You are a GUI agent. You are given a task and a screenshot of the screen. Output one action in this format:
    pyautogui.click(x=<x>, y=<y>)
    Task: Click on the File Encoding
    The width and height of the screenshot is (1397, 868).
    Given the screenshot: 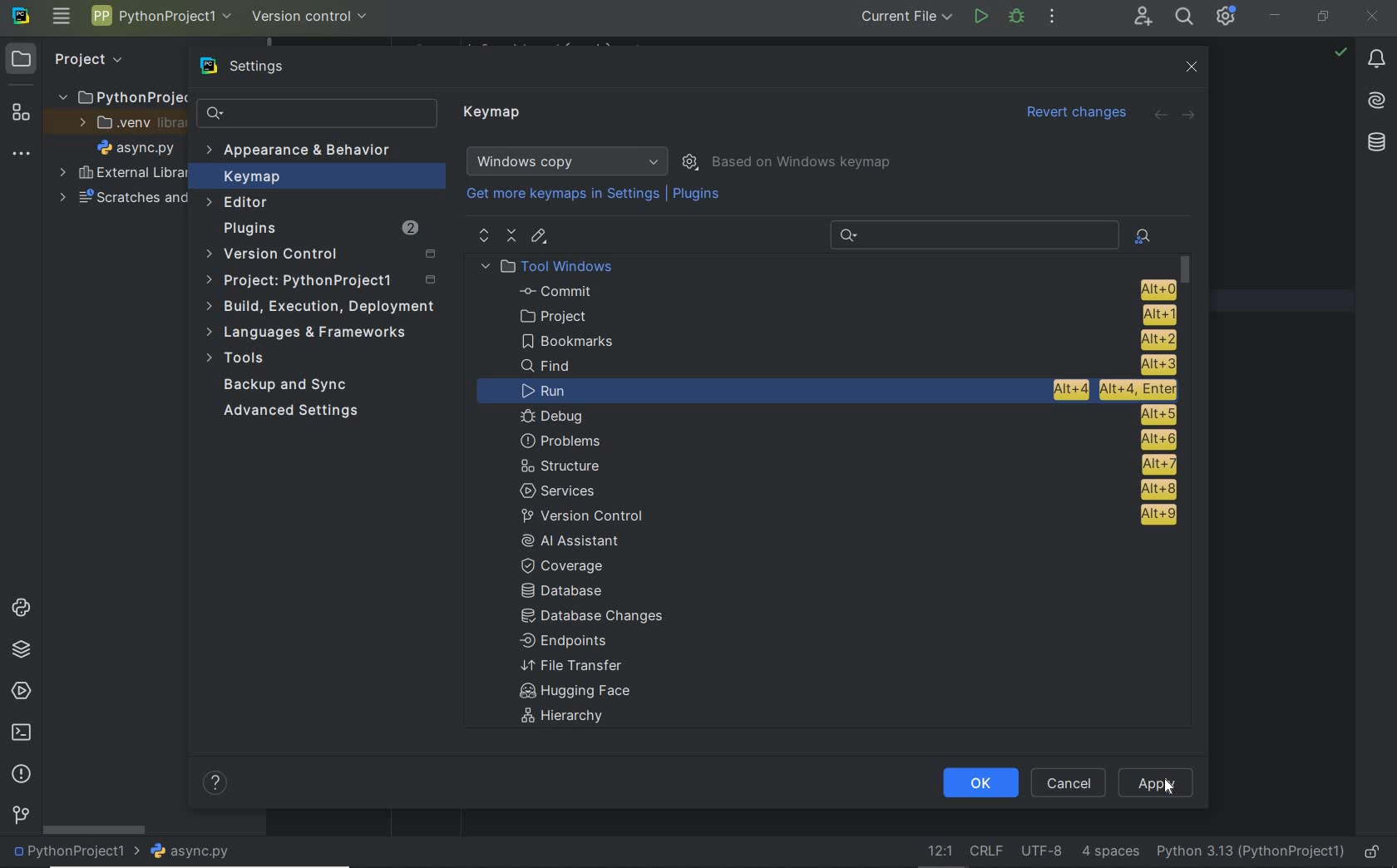 What is the action you would take?
    pyautogui.click(x=1043, y=852)
    